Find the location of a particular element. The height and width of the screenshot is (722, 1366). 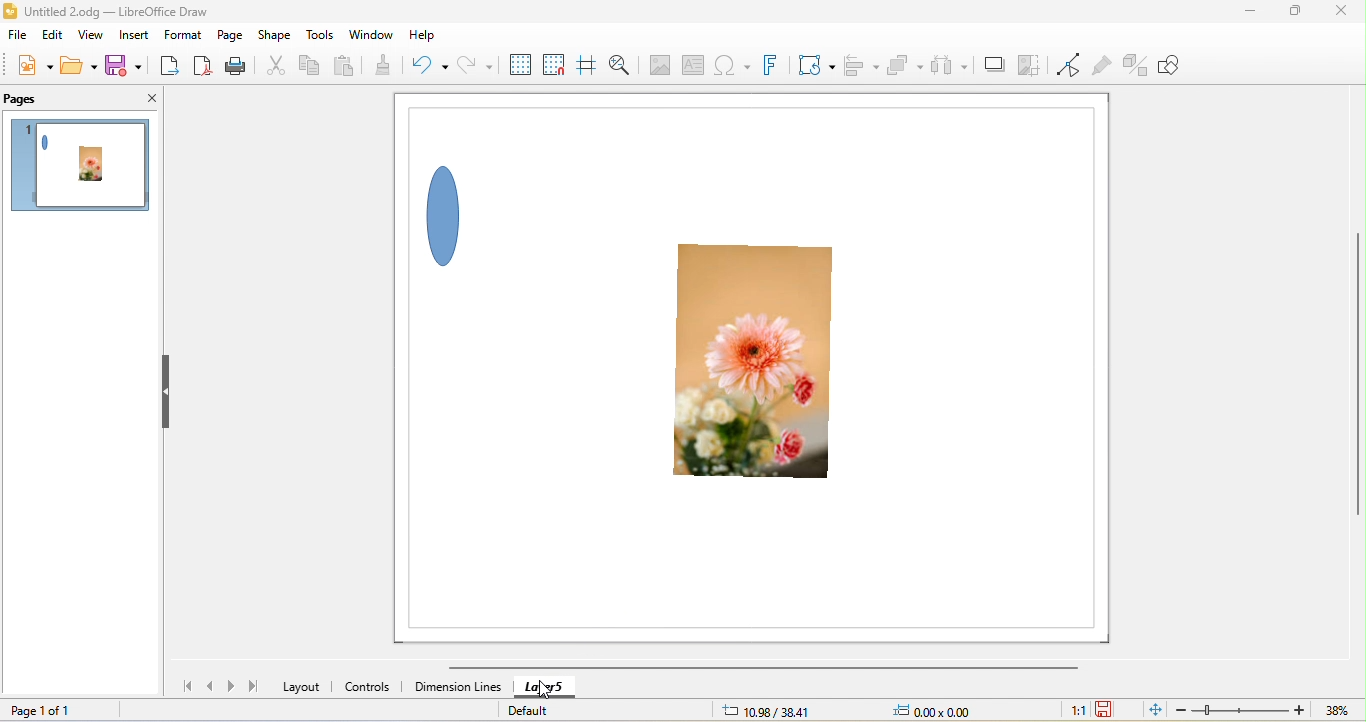

previous page is located at coordinates (211, 686).